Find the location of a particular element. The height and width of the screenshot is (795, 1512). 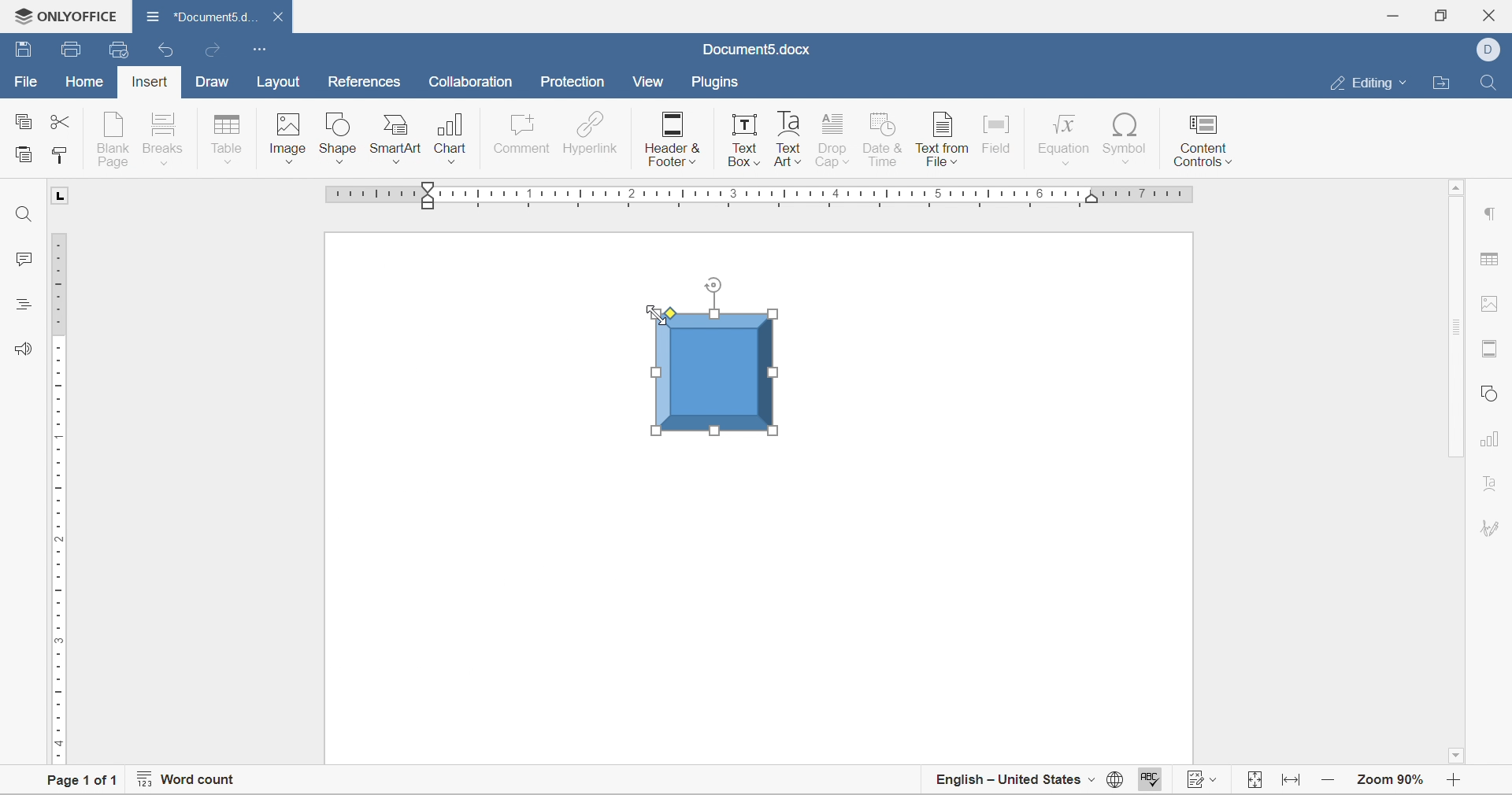

cut is located at coordinates (57, 123).